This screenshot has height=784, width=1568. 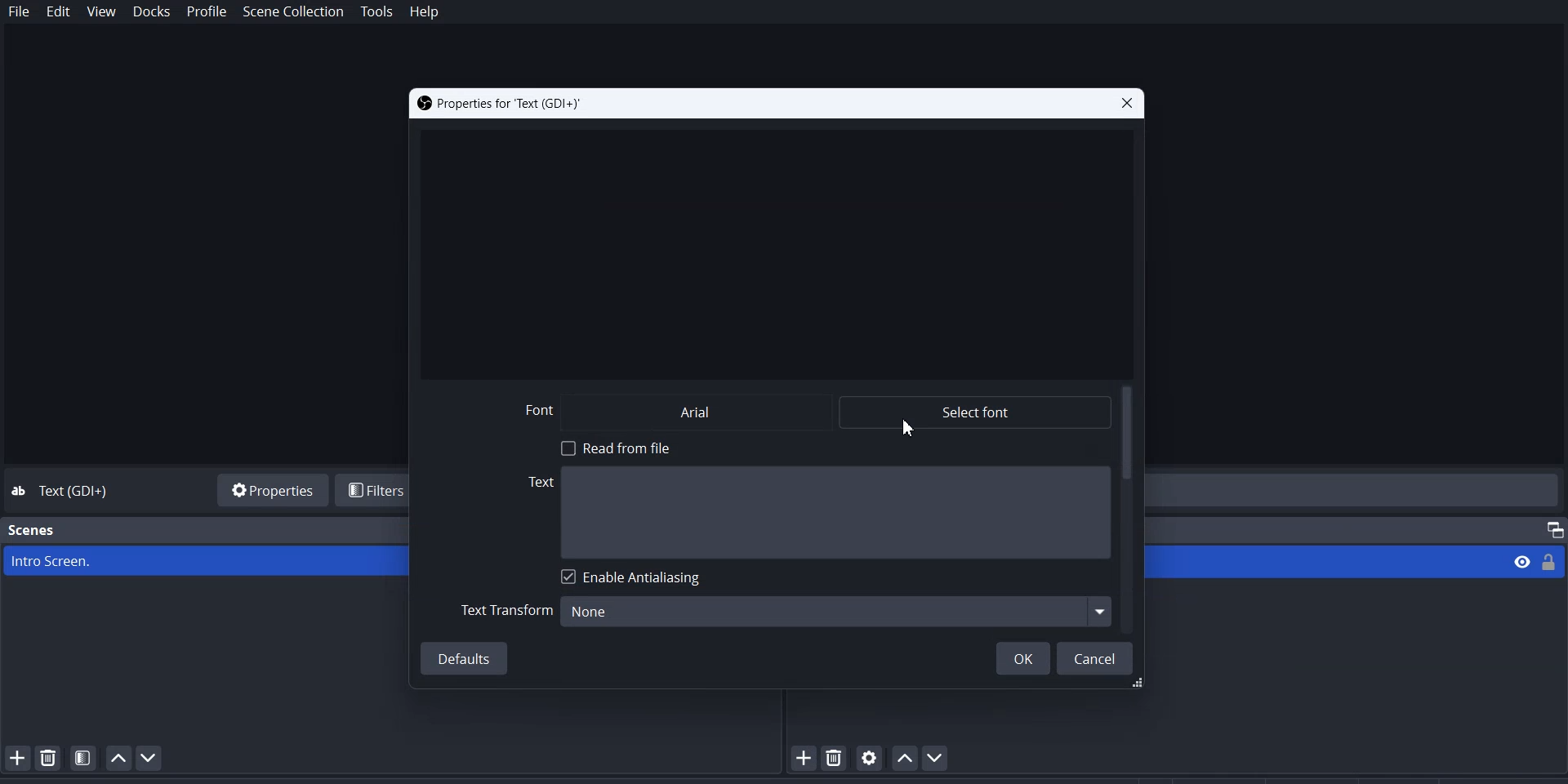 What do you see at coordinates (633, 578) in the screenshot?
I see `Enable Antialiasing` at bounding box center [633, 578].